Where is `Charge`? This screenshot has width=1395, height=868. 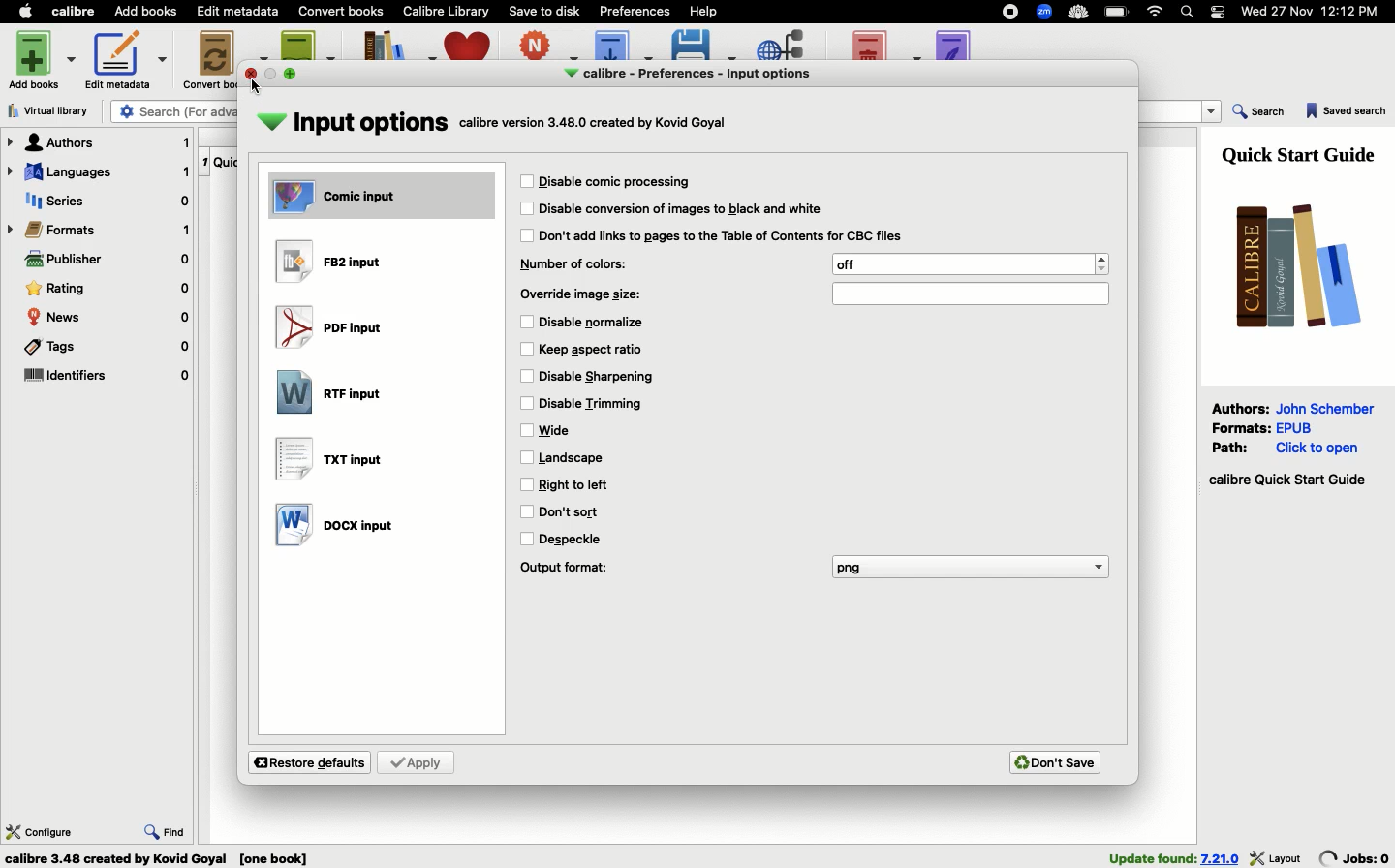
Charge is located at coordinates (1118, 13).